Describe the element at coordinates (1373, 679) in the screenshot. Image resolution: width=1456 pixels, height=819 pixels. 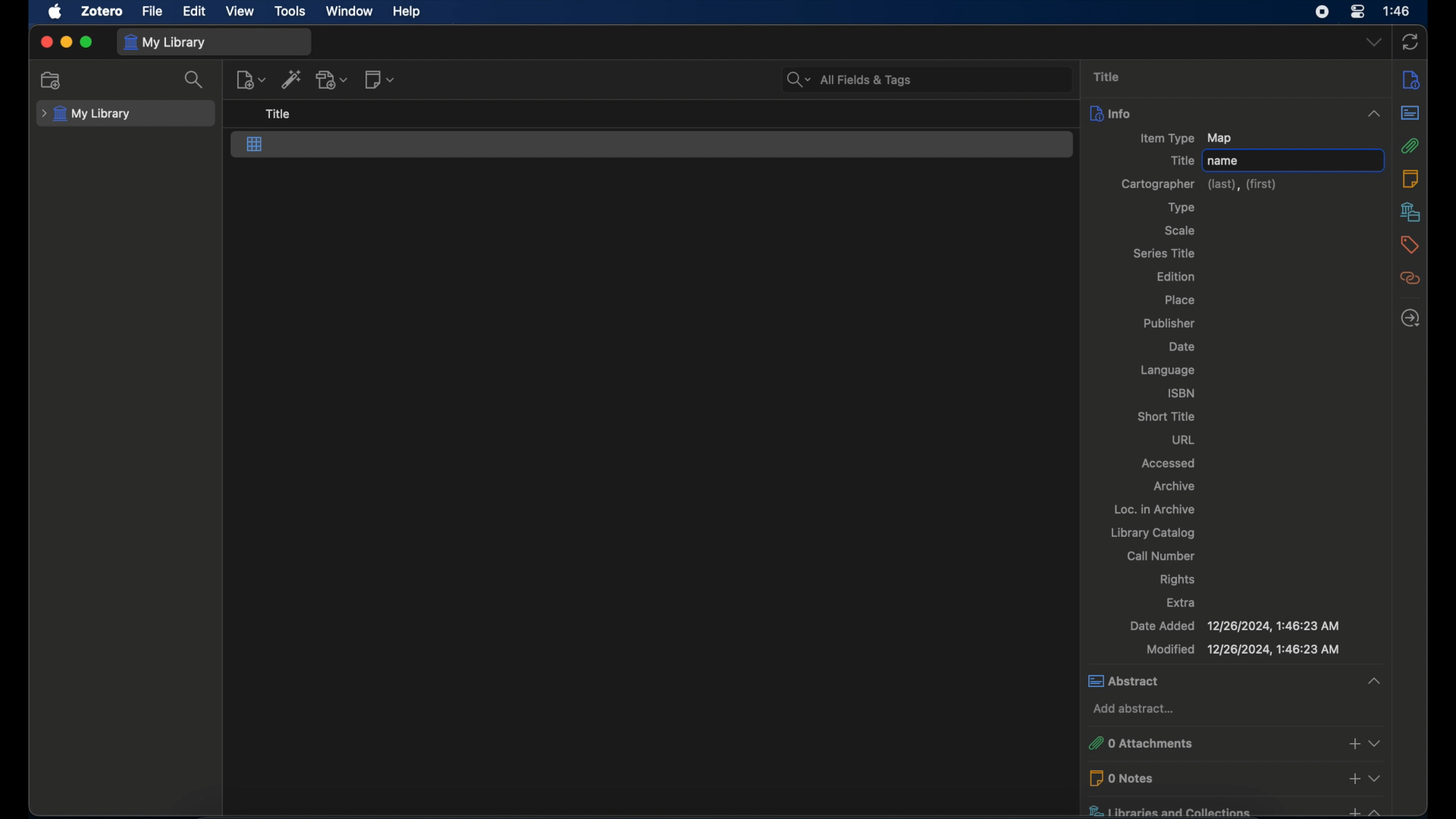
I see `Collapse or expand ` at that location.